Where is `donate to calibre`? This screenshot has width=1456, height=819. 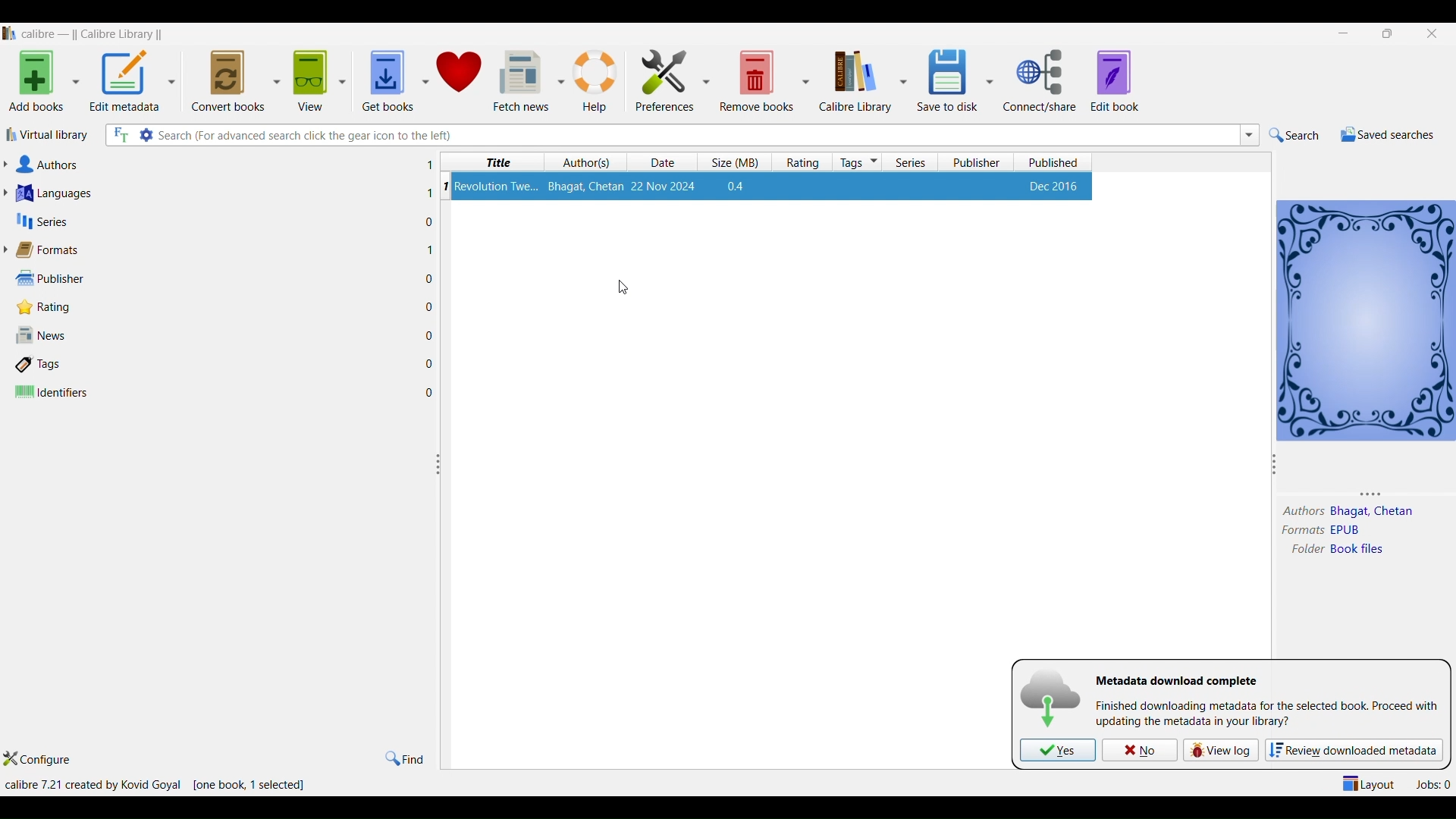 donate to calibre is located at coordinates (463, 76).